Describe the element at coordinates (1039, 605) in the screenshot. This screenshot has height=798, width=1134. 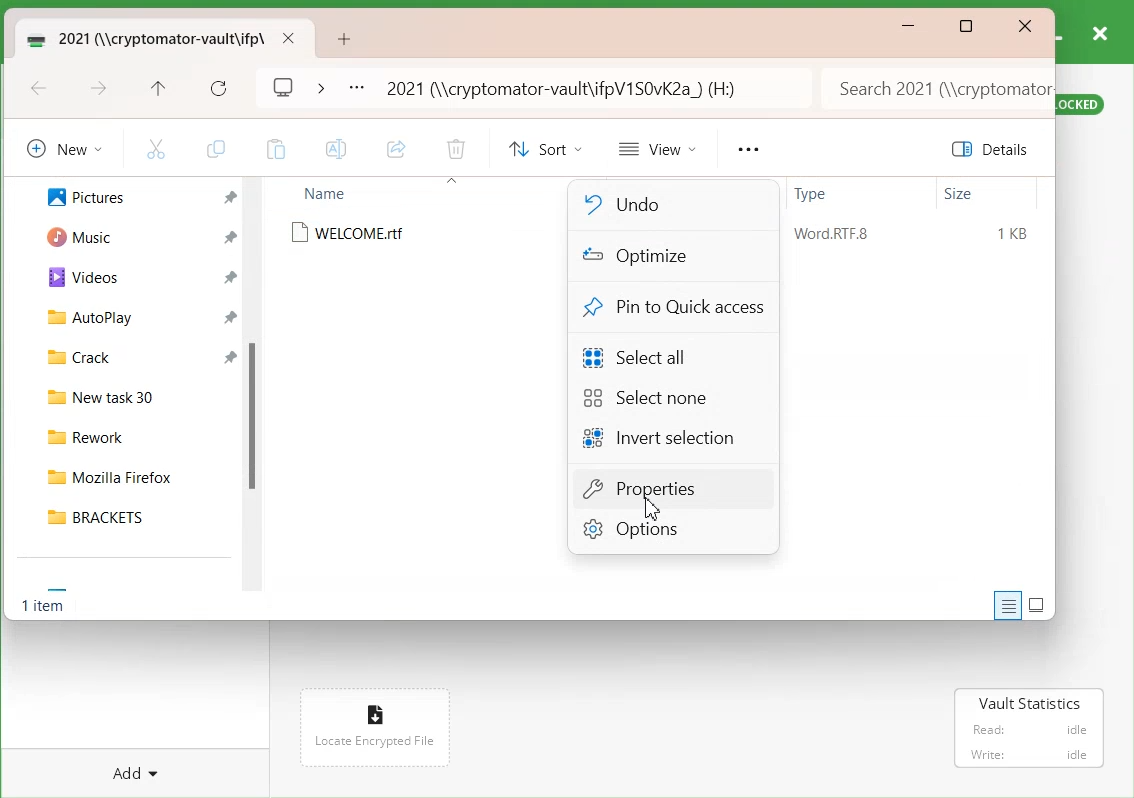
I see `Display item by using large thumbnail` at that location.